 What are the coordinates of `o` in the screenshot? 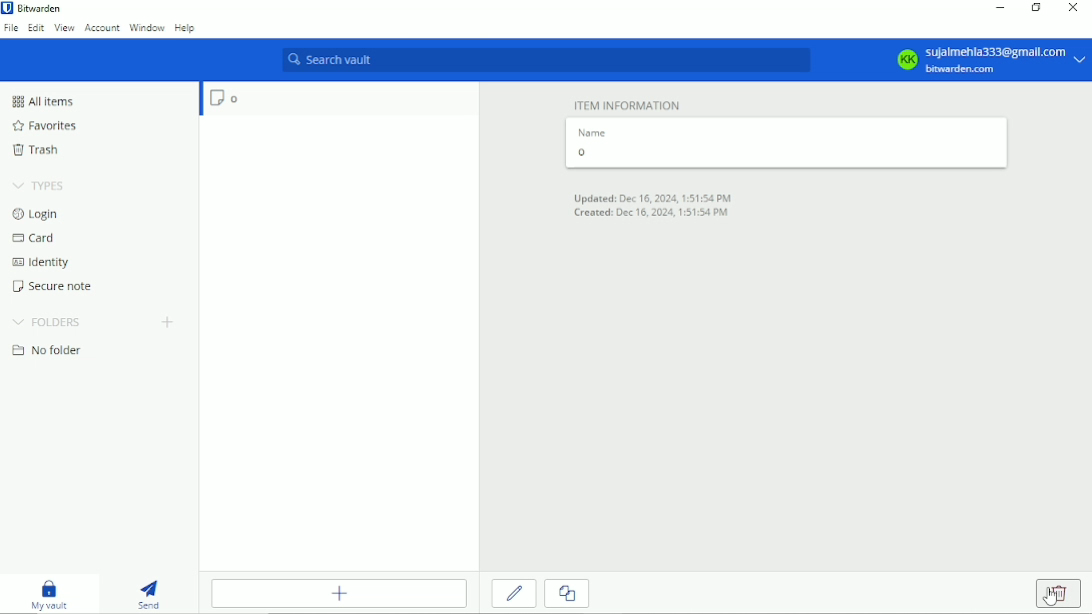 It's located at (784, 154).